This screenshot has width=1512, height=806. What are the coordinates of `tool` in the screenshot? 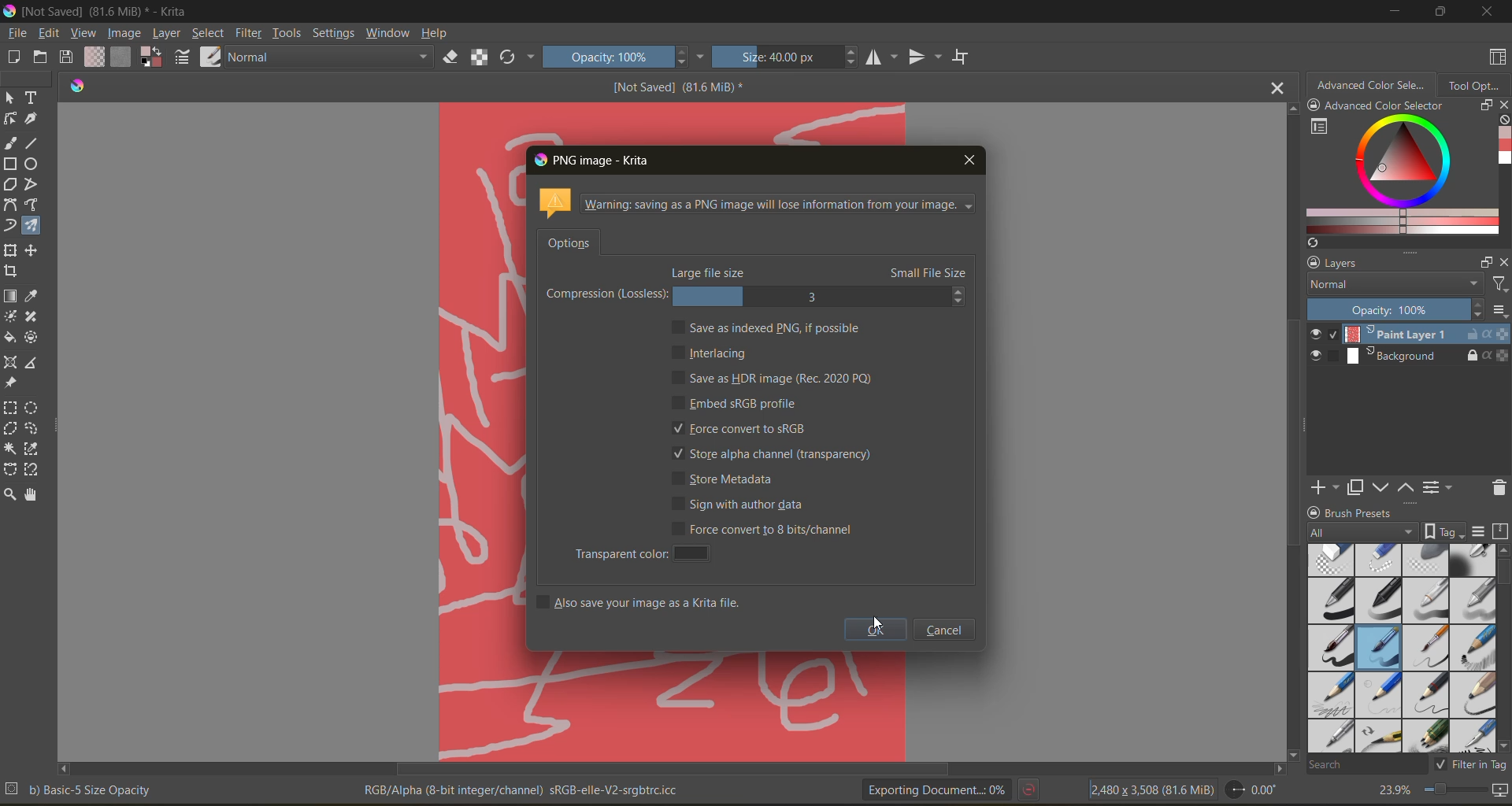 It's located at (31, 449).